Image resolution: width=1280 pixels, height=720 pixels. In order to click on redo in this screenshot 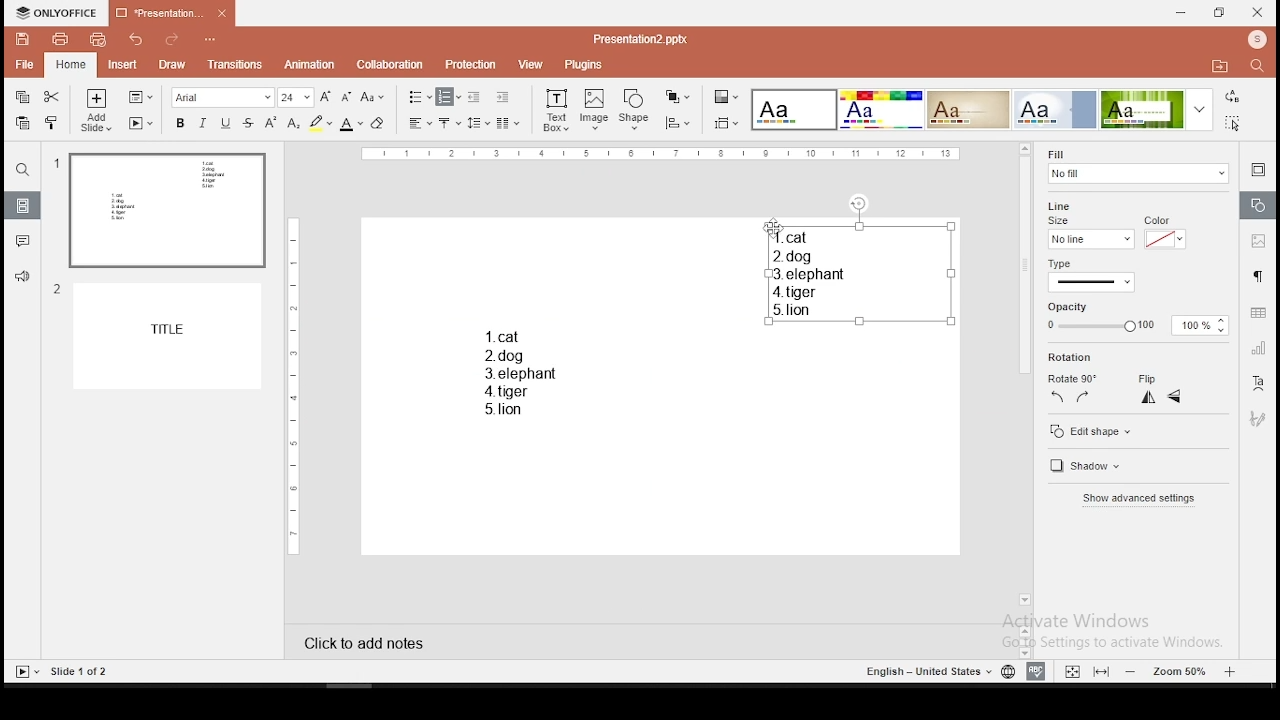, I will do `click(173, 42)`.